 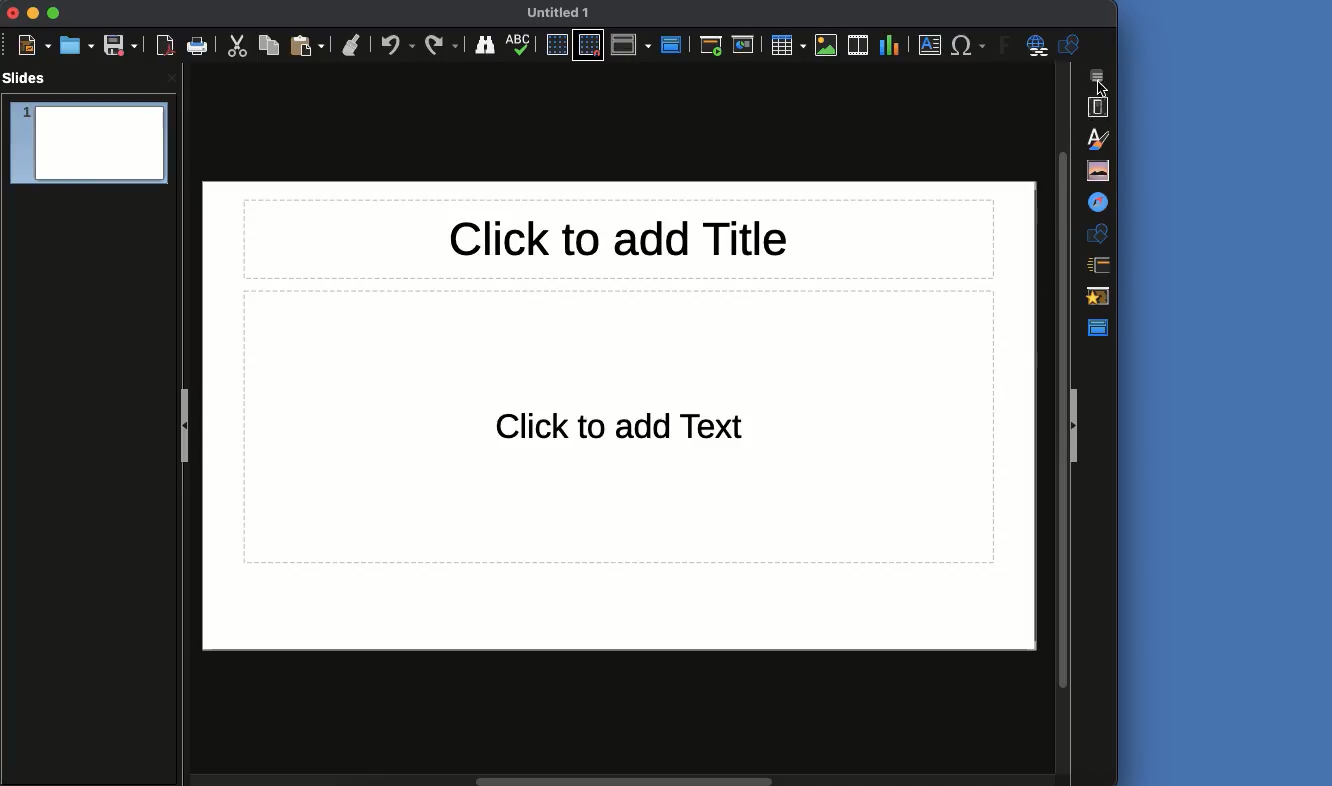 What do you see at coordinates (166, 46) in the screenshot?
I see `Export as PDF` at bounding box center [166, 46].